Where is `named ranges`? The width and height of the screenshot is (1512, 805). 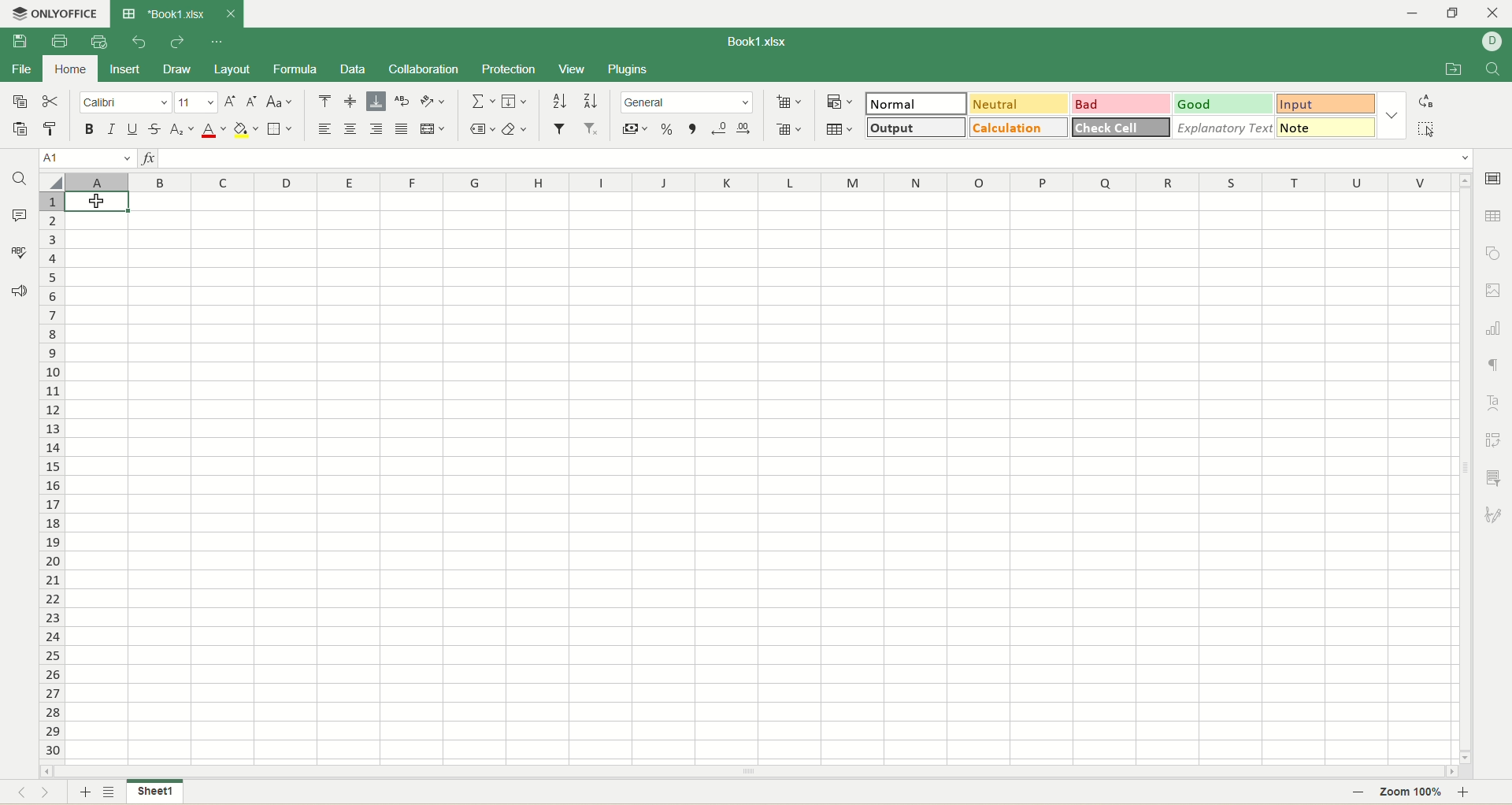
named ranges is located at coordinates (483, 129).